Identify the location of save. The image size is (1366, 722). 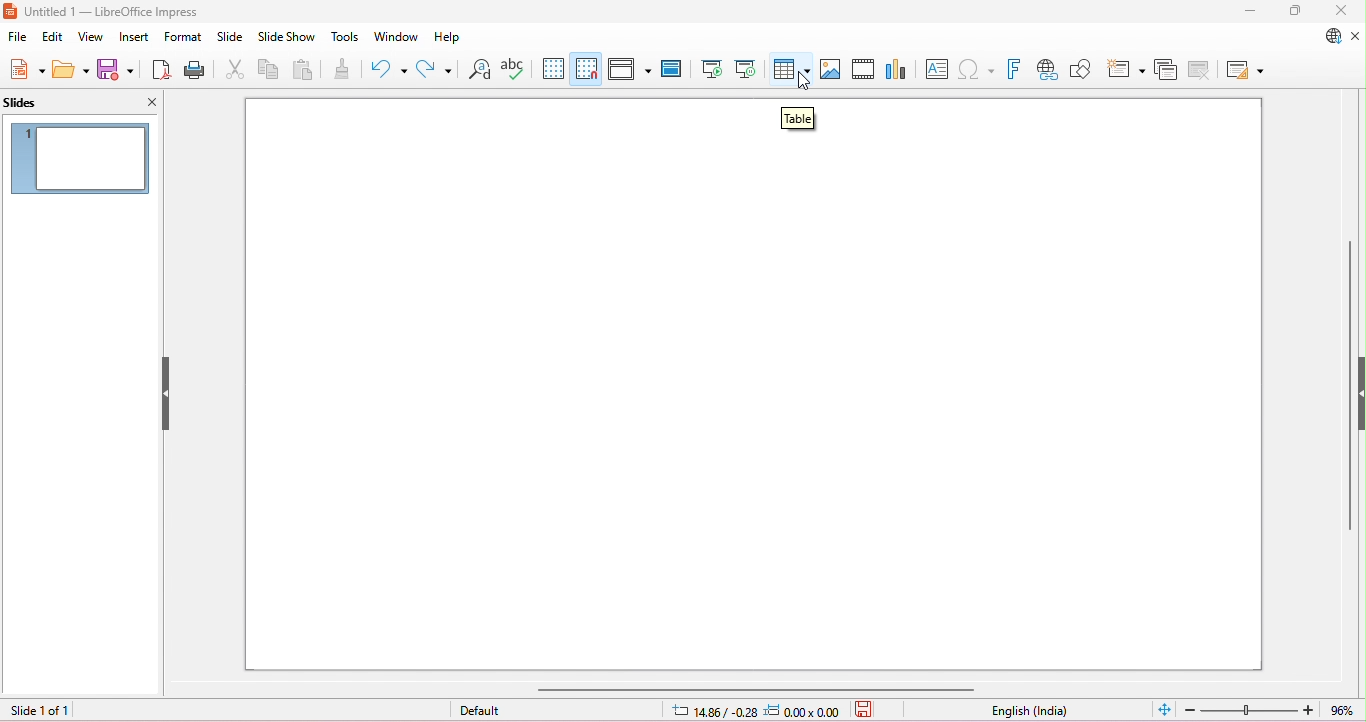
(865, 711).